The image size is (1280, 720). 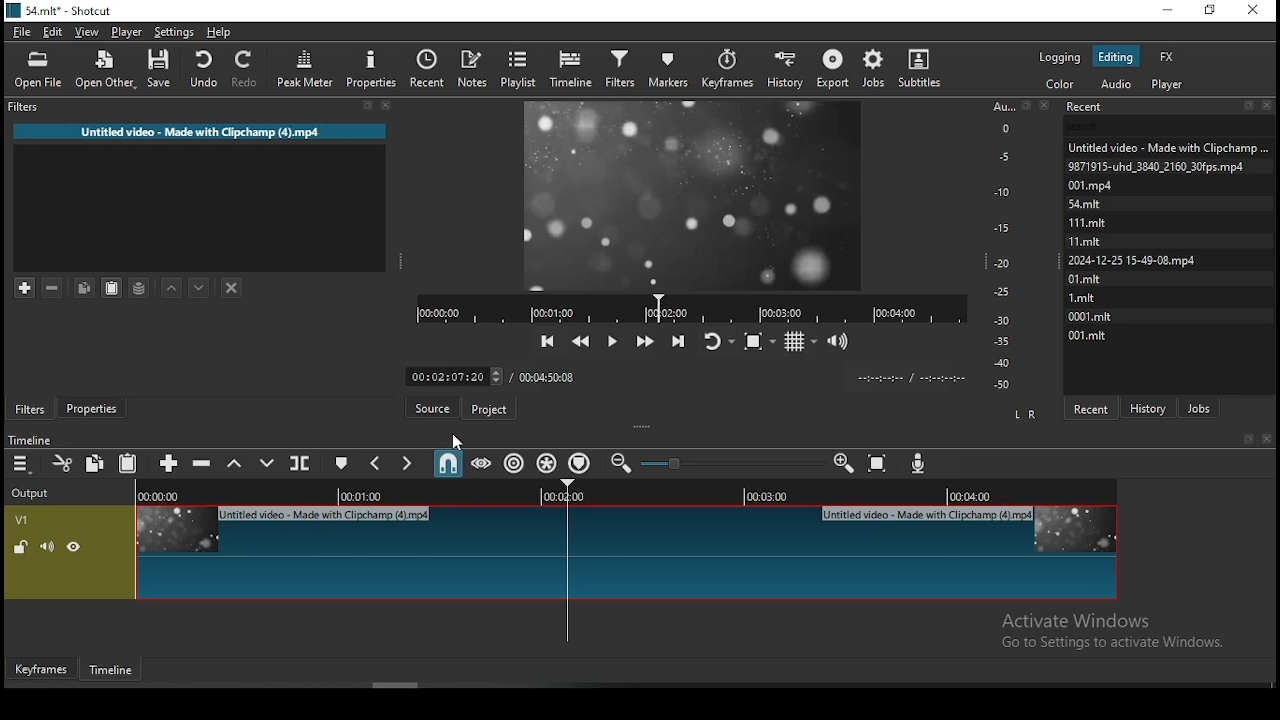 What do you see at coordinates (831, 70) in the screenshot?
I see `export` at bounding box center [831, 70].